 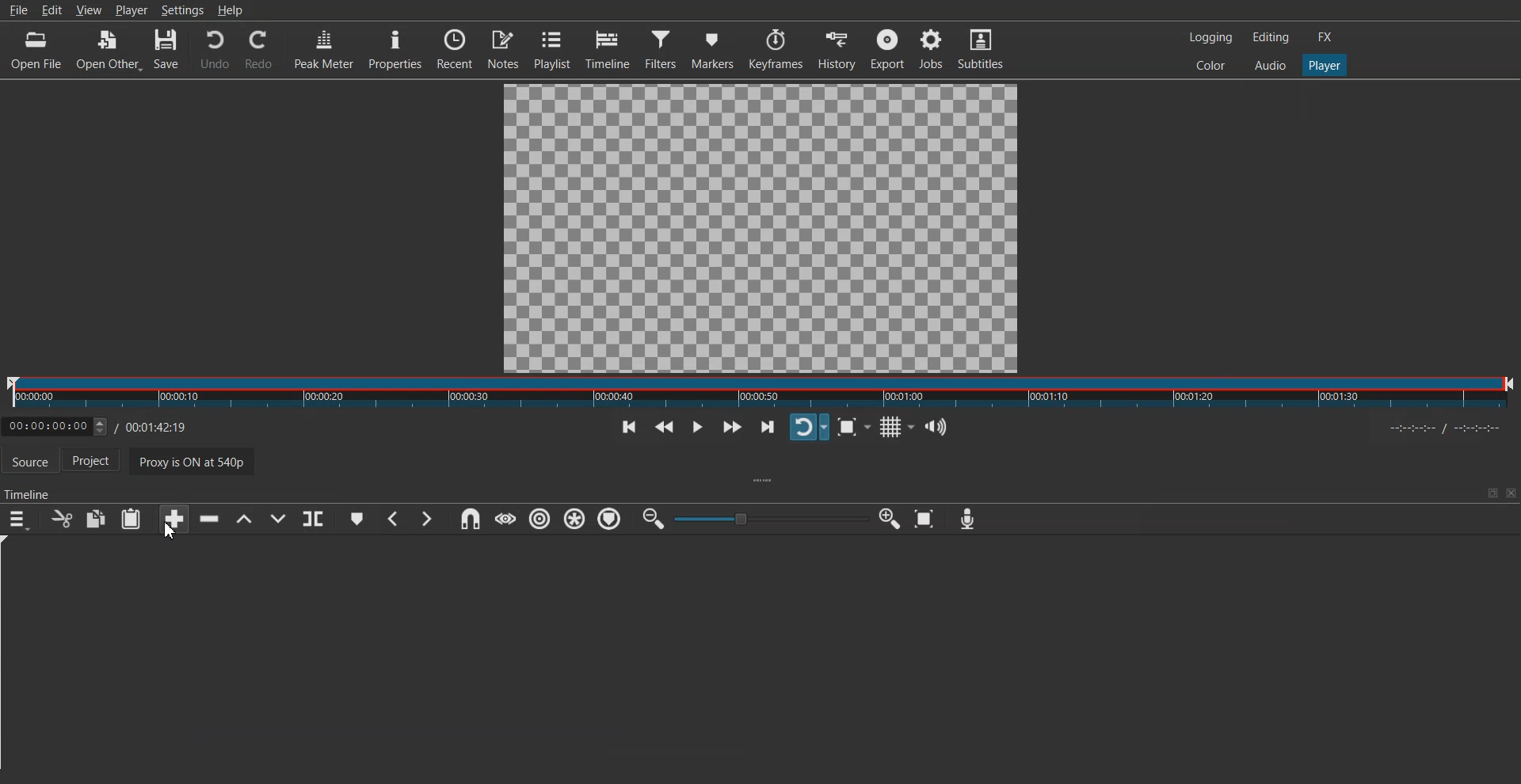 What do you see at coordinates (1270, 64) in the screenshot?
I see `Audio` at bounding box center [1270, 64].